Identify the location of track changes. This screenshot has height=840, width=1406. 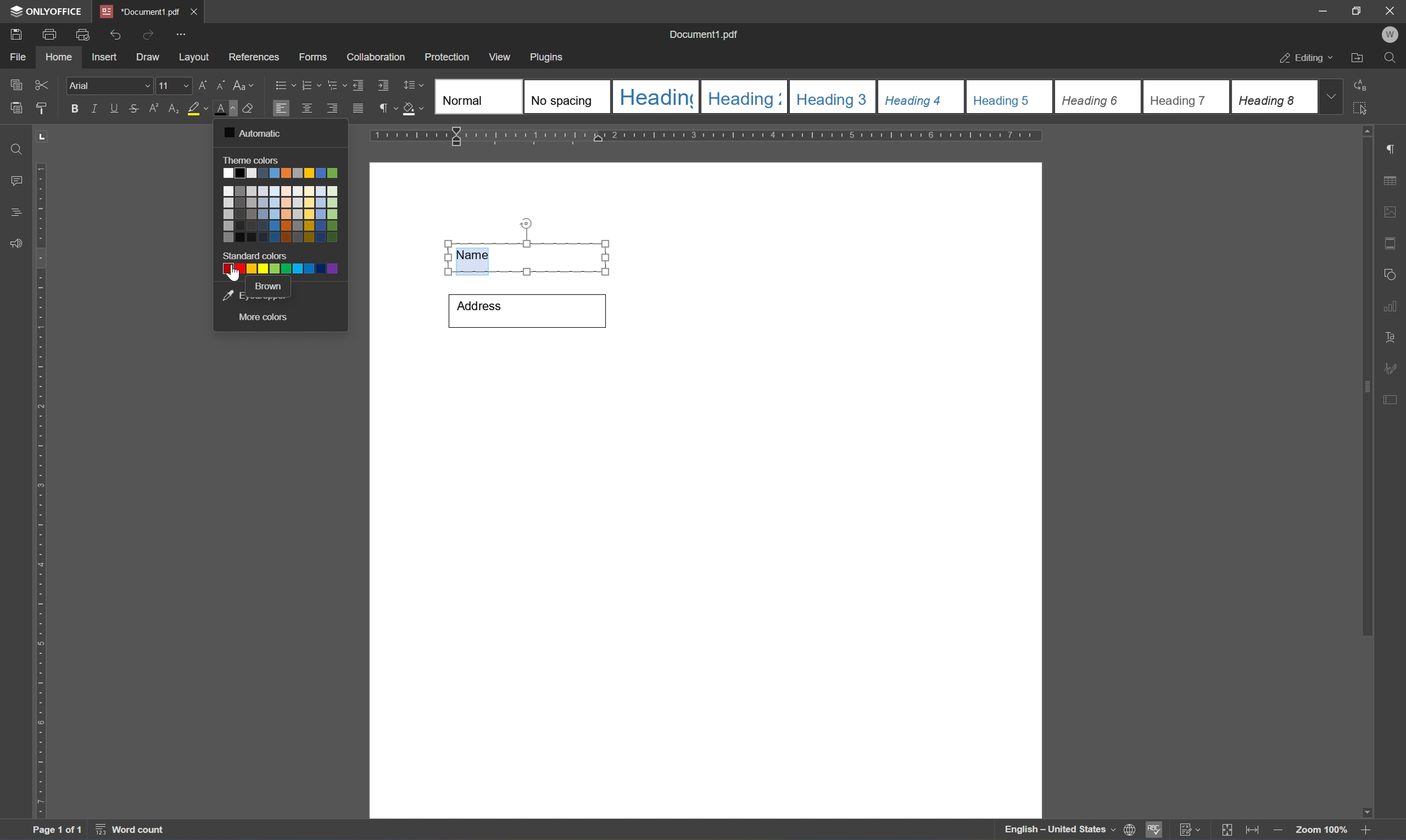
(1191, 830).